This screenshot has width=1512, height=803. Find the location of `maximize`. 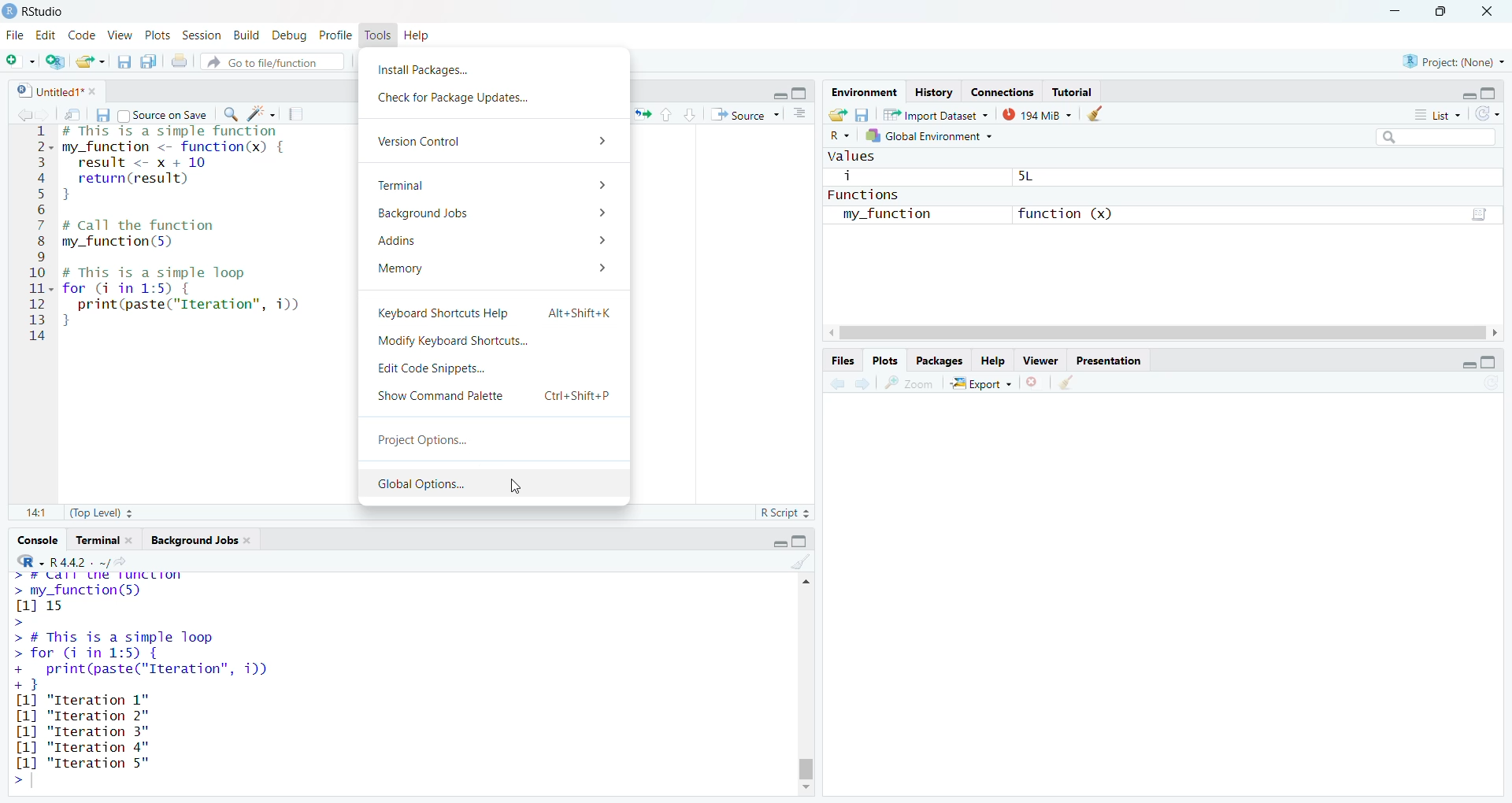

maximize is located at coordinates (1497, 363).